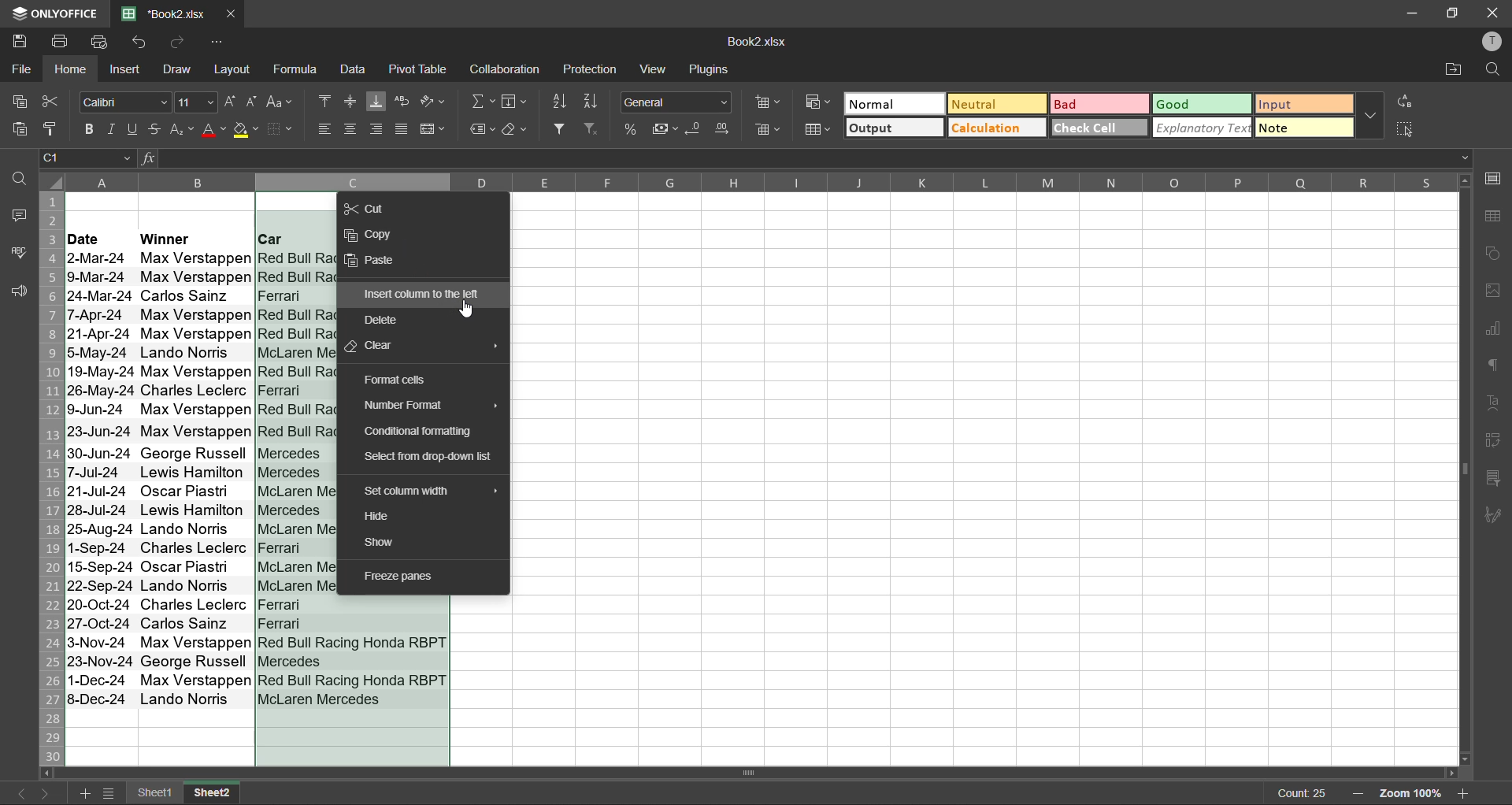 The height and width of the screenshot is (805, 1512). Describe the element at coordinates (514, 102) in the screenshot. I see `fields` at that location.